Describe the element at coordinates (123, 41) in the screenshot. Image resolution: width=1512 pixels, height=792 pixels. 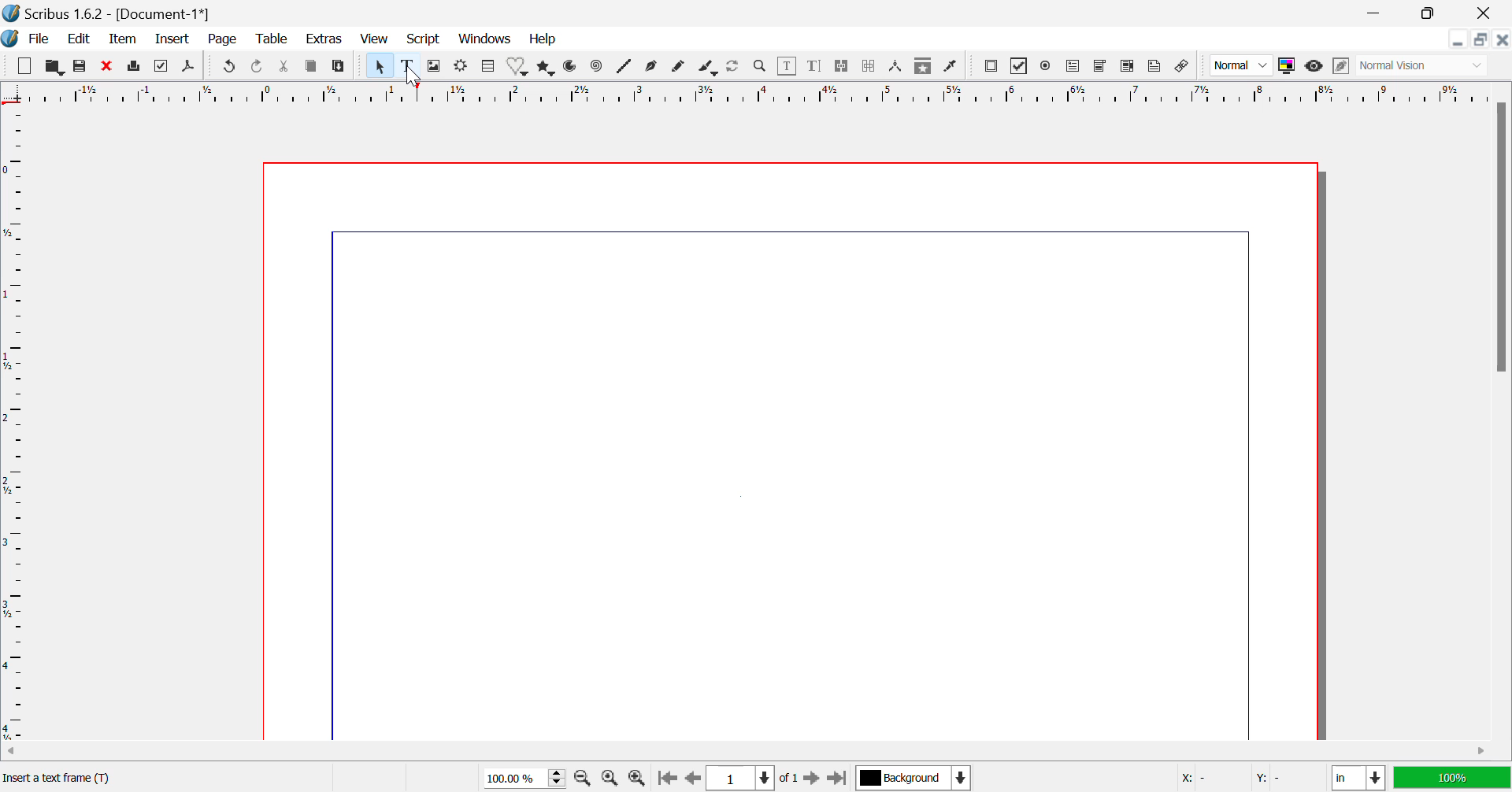
I see `Item` at that location.